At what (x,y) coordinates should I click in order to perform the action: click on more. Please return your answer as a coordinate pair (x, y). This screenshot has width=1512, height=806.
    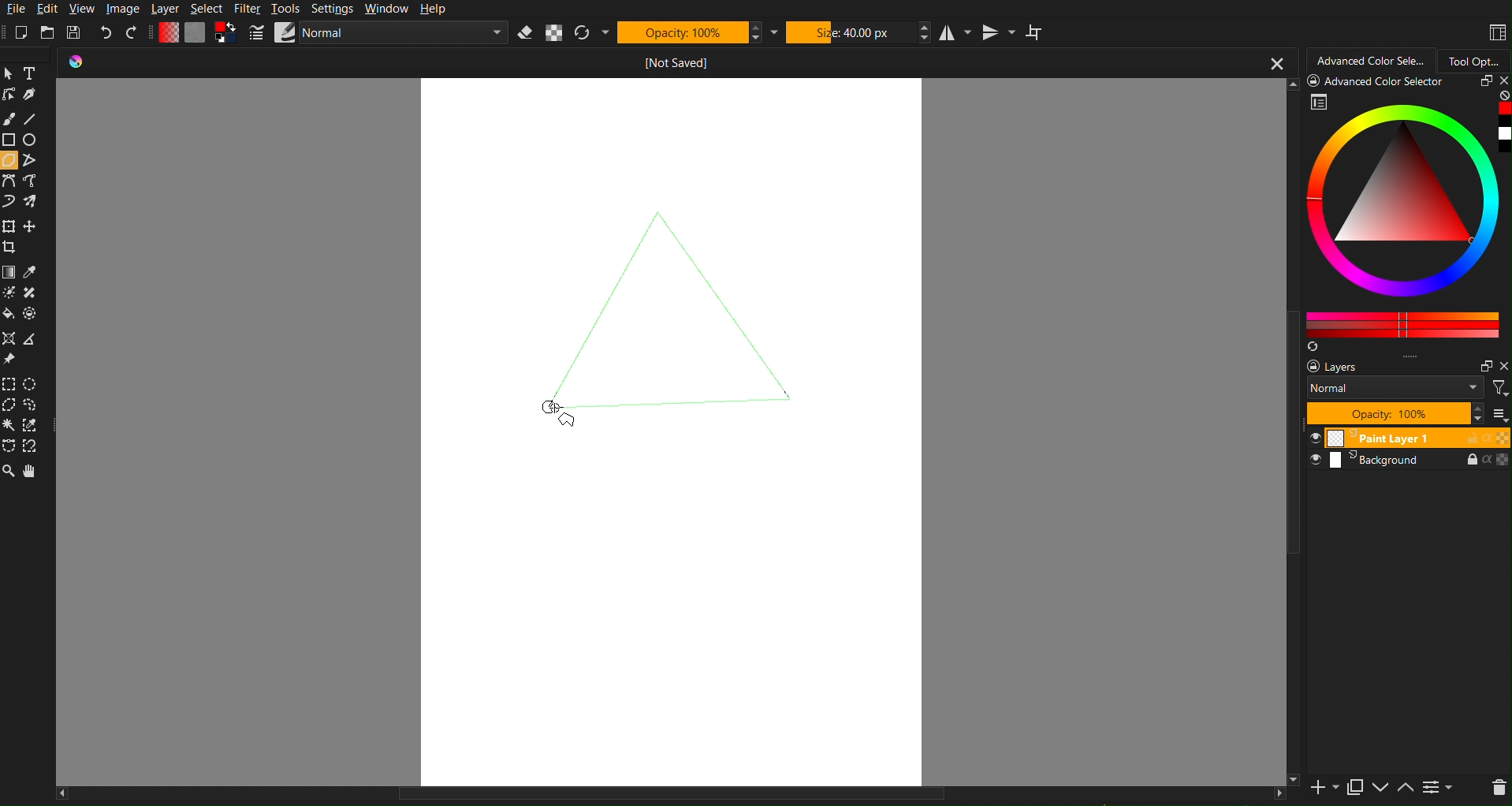
    Looking at the image, I should click on (1498, 414).